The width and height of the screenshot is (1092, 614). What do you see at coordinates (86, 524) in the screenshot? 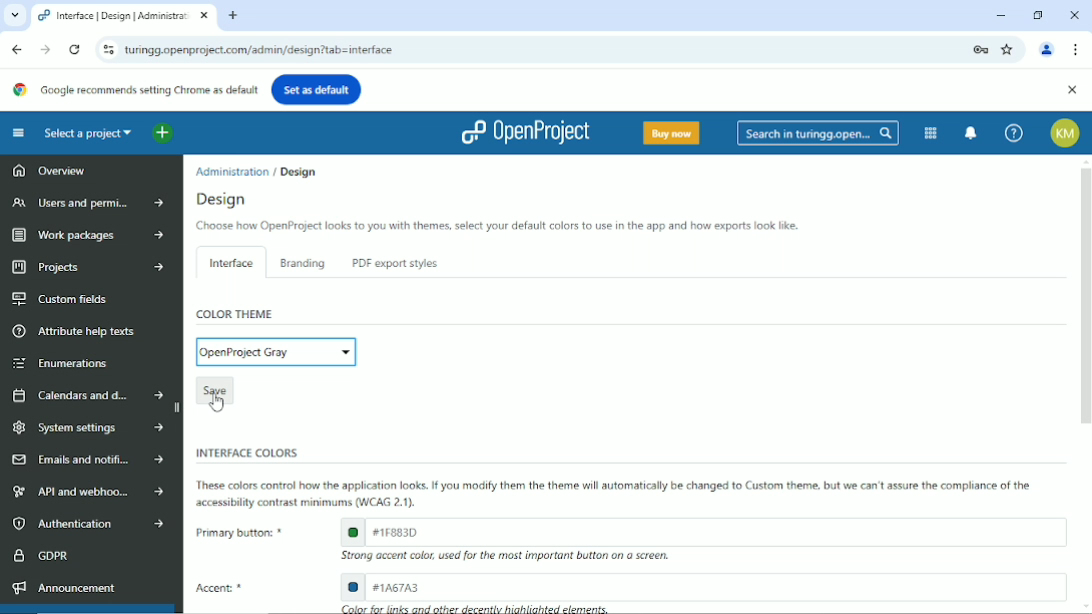
I see `Authentication` at bounding box center [86, 524].